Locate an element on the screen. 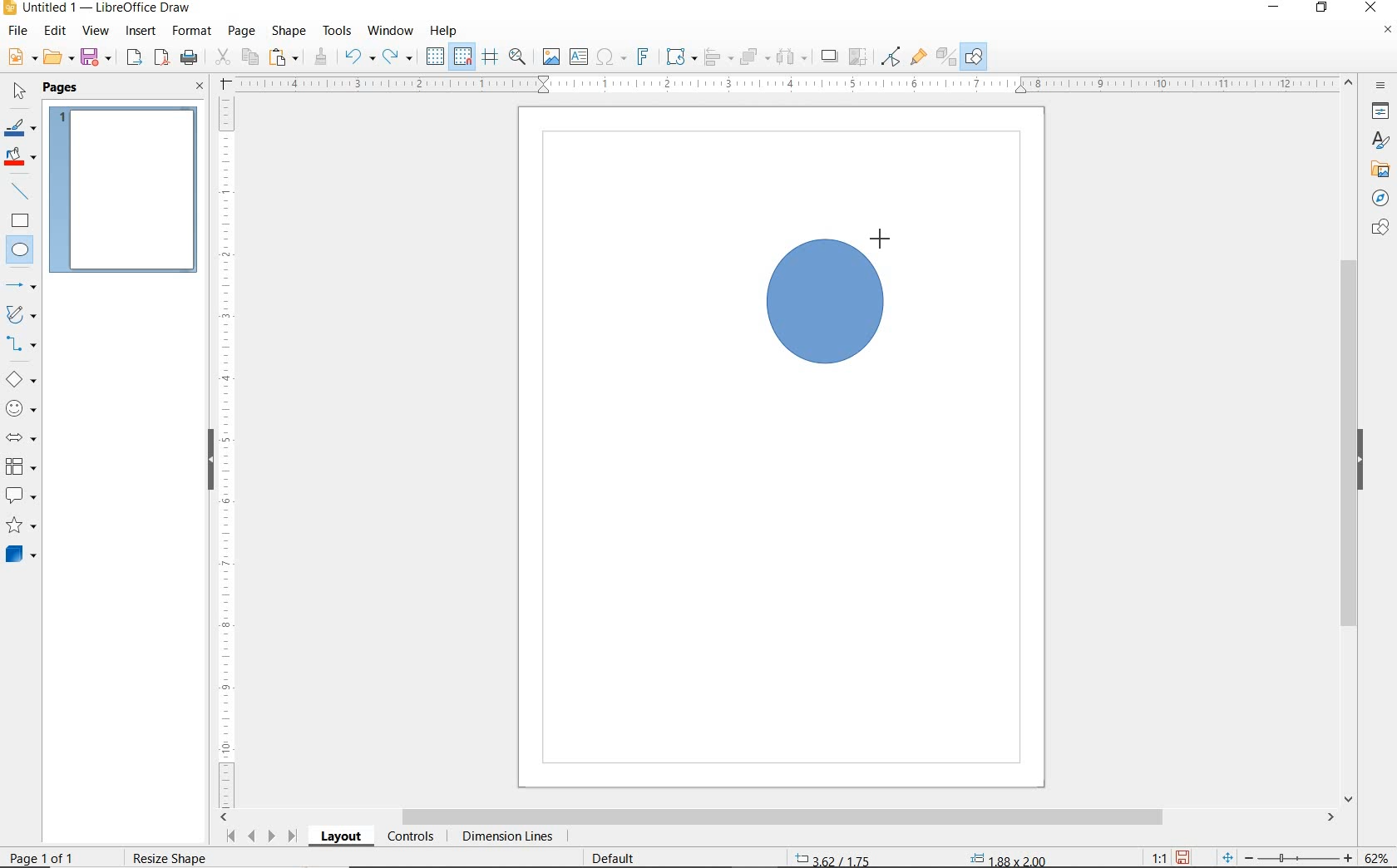 This screenshot has width=1397, height=868. LINE COLOR is located at coordinates (20, 127).